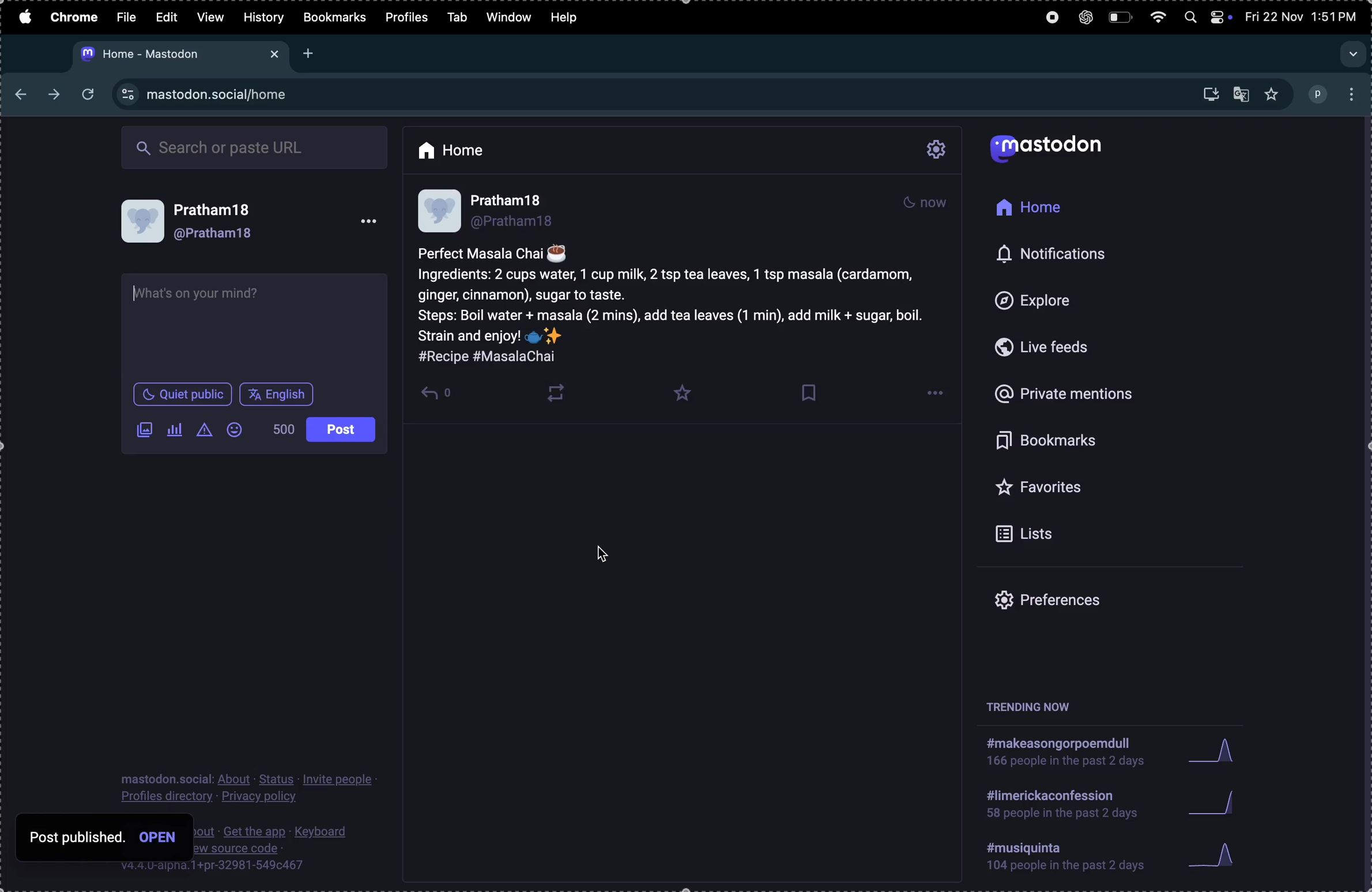 Image resolution: width=1372 pixels, height=892 pixels. I want to click on profile, so click(1317, 92).